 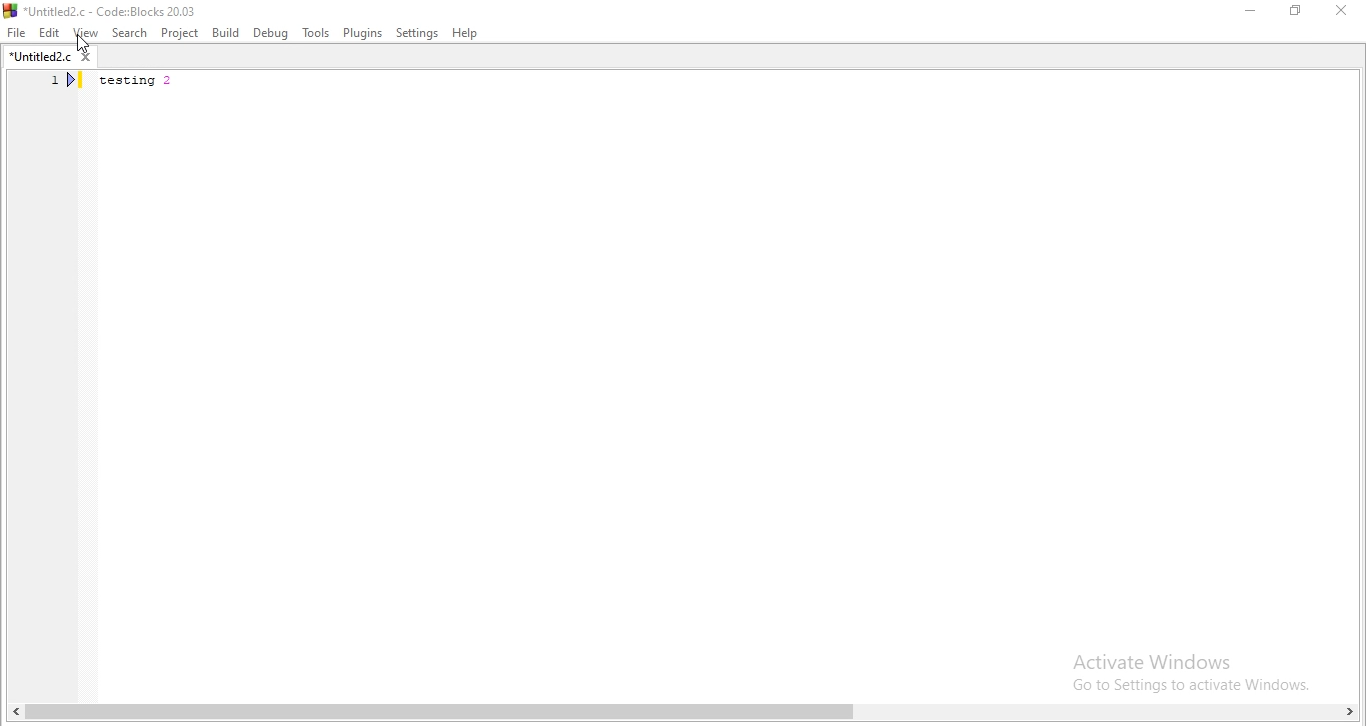 What do you see at coordinates (85, 44) in the screenshot?
I see `cursor` at bounding box center [85, 44].